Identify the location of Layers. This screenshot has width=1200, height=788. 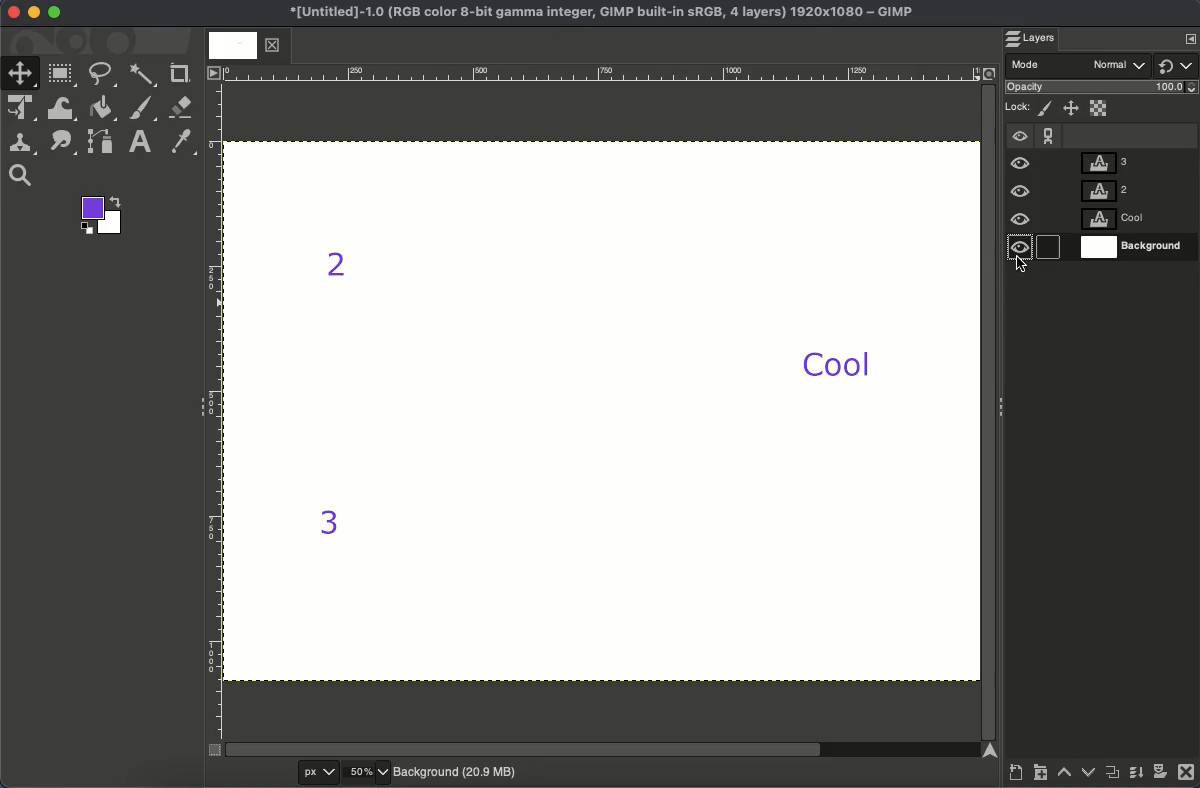
(1133, 205).